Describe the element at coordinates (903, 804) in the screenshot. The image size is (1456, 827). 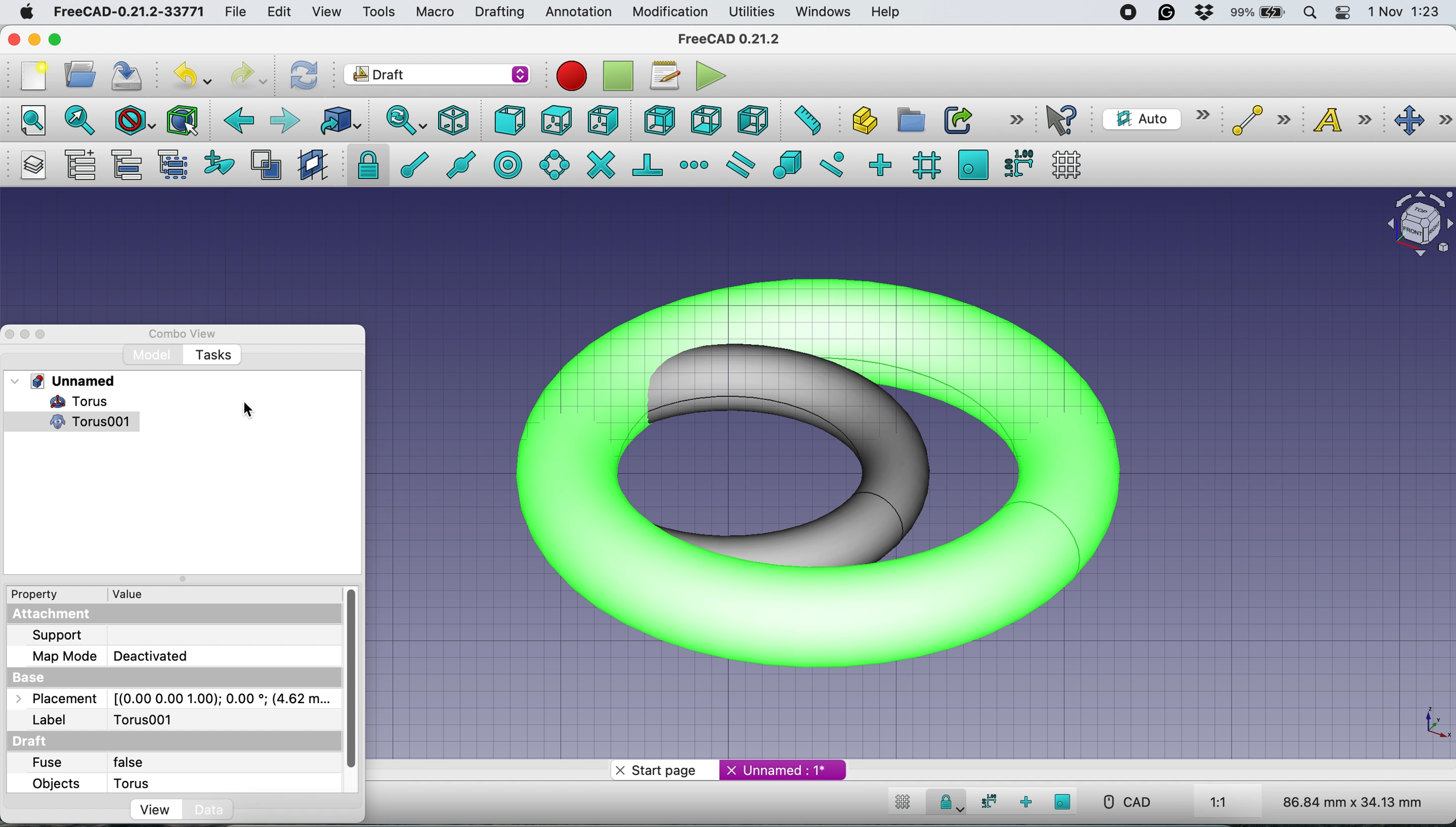
I see `toggle grid` at that location.